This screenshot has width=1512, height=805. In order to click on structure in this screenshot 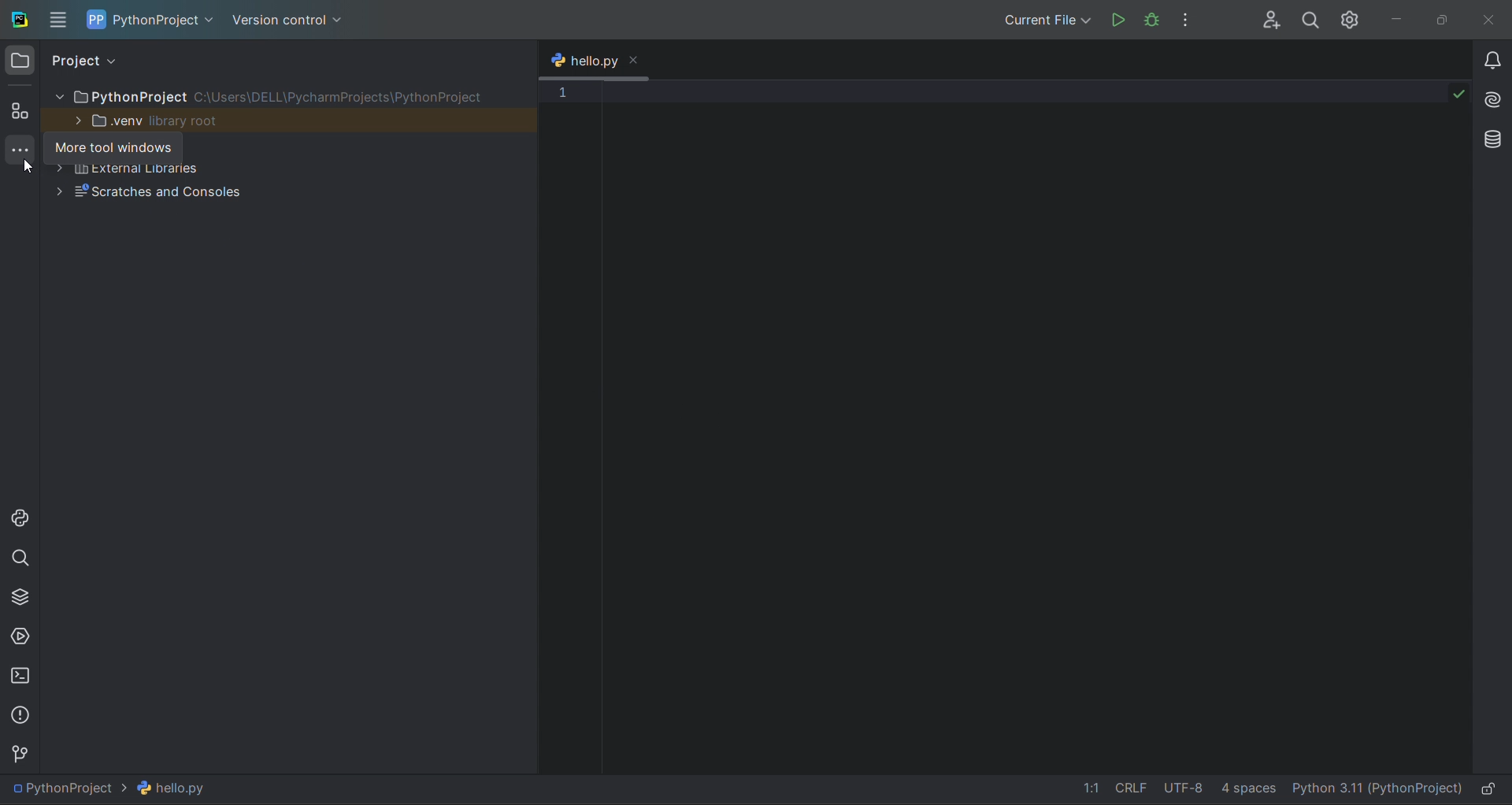, I will do `click(20, 112)`.